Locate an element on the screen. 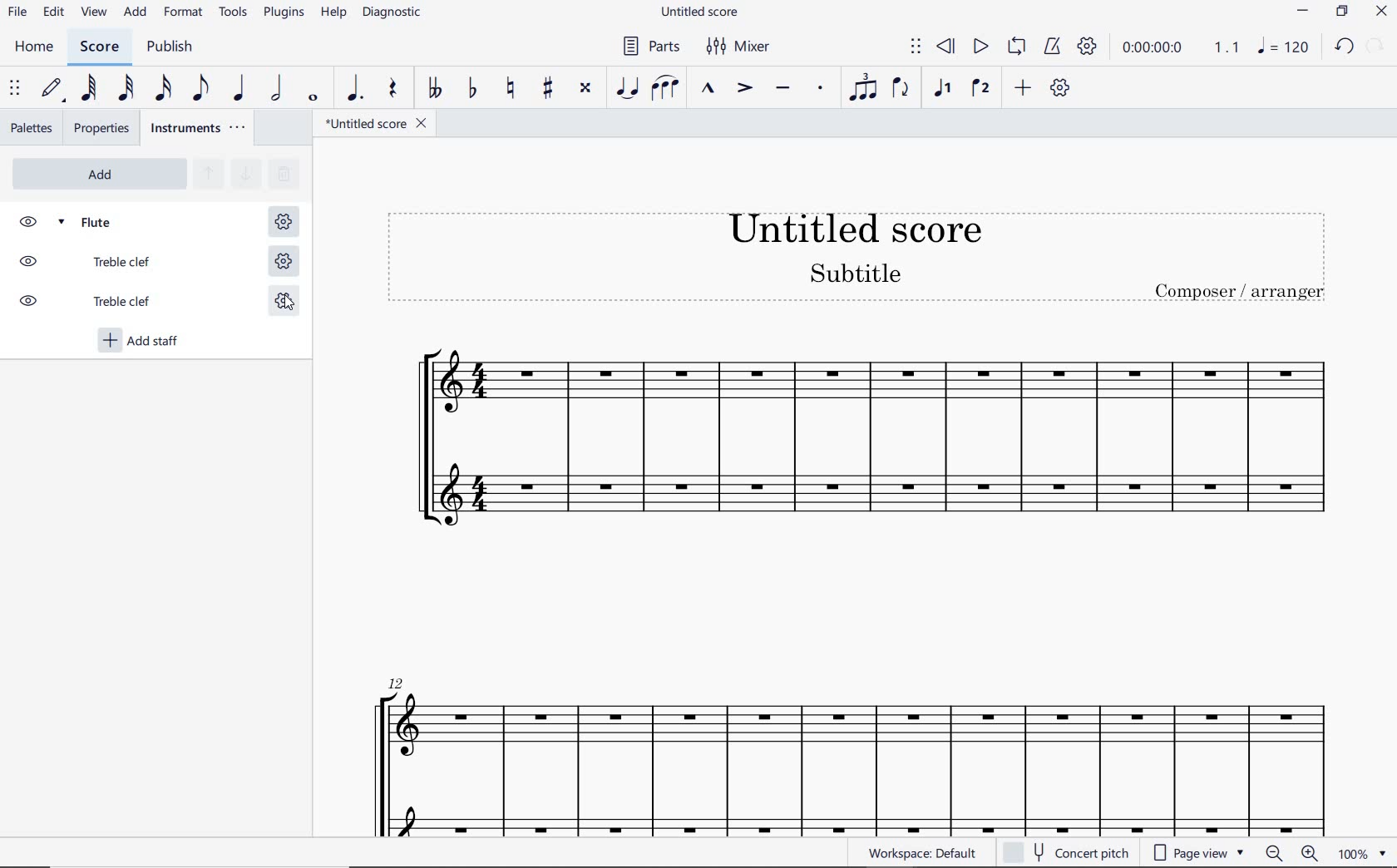  VOICE 2 is located at coordinates (980, 89).